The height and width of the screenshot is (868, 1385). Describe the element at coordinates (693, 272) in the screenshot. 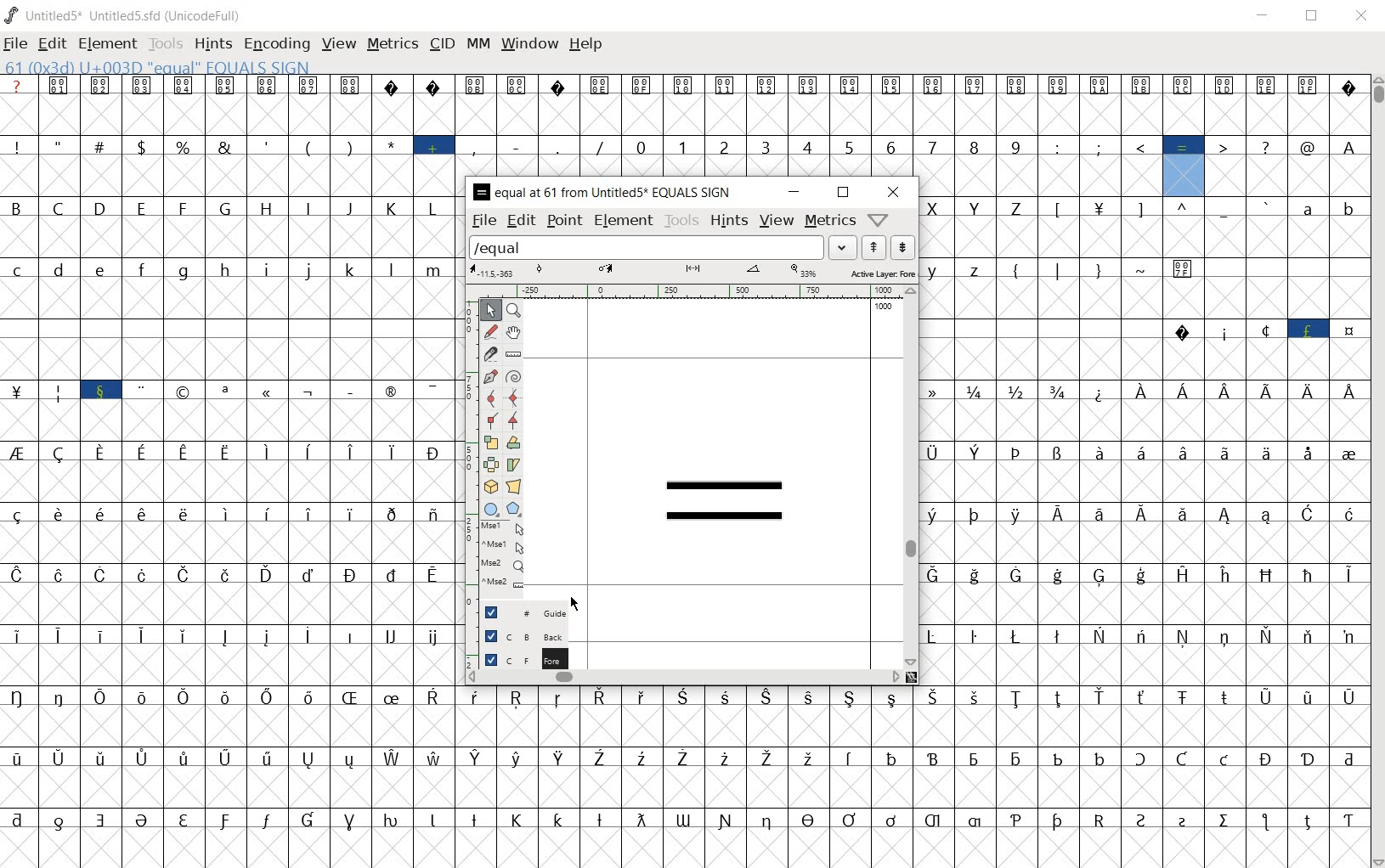

I see `active layer` at that location.